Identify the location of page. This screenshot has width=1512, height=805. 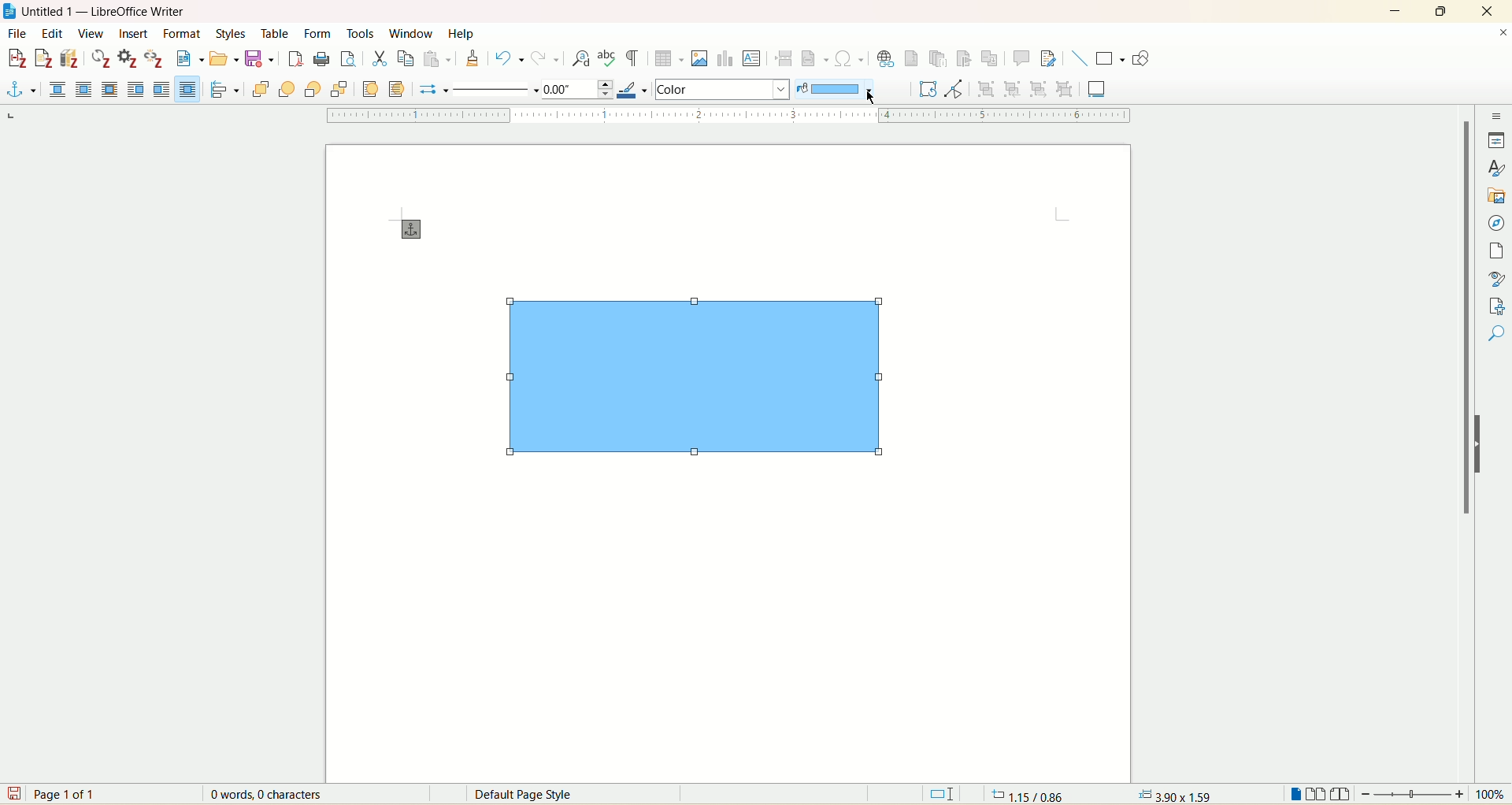
(1495, 252).